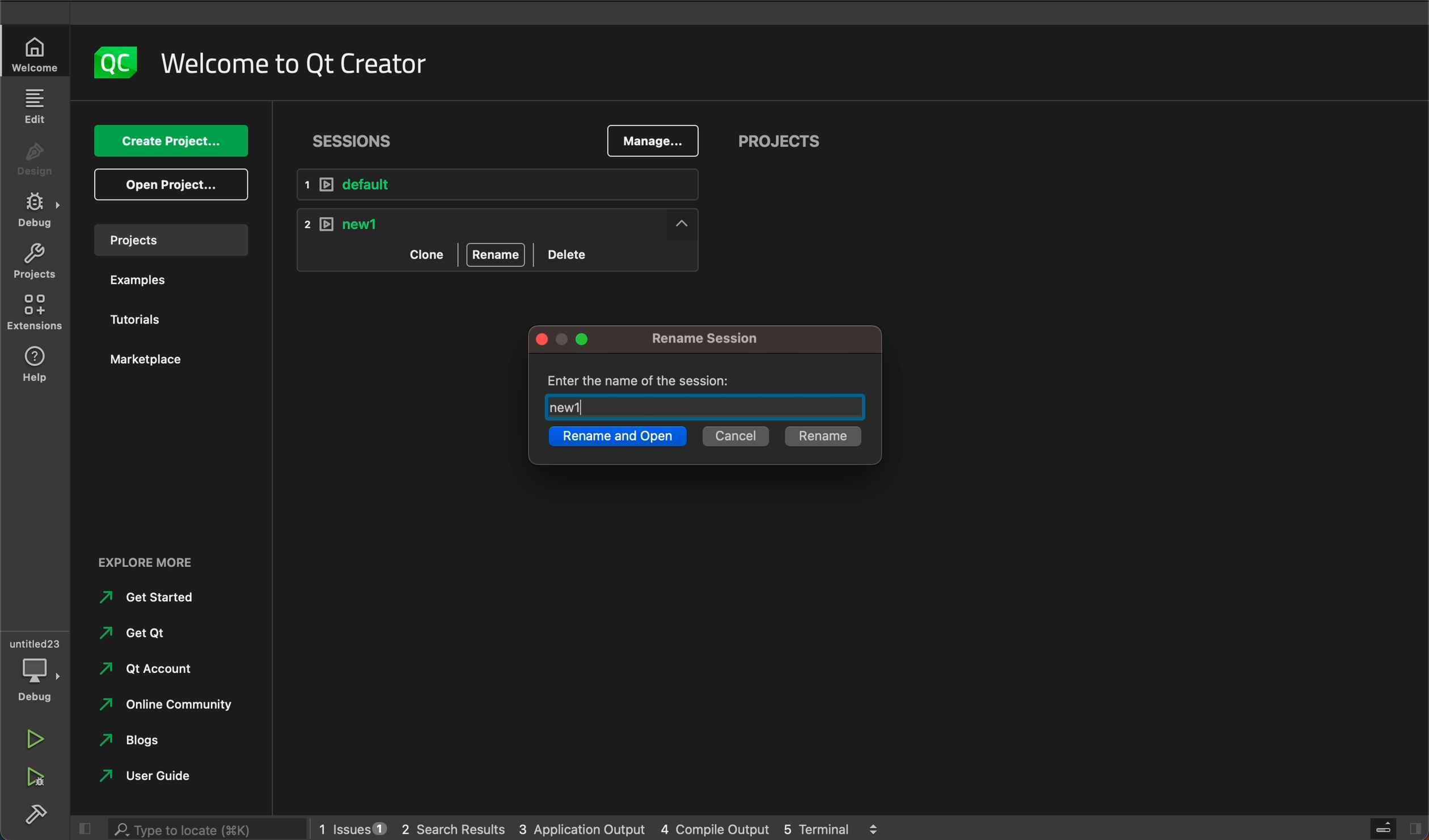 Image resolution: width=1429 pixels, height=840 pixels. Describe the element at coordinates (734, 438) in the screenshot. I see `cancel` at that location.